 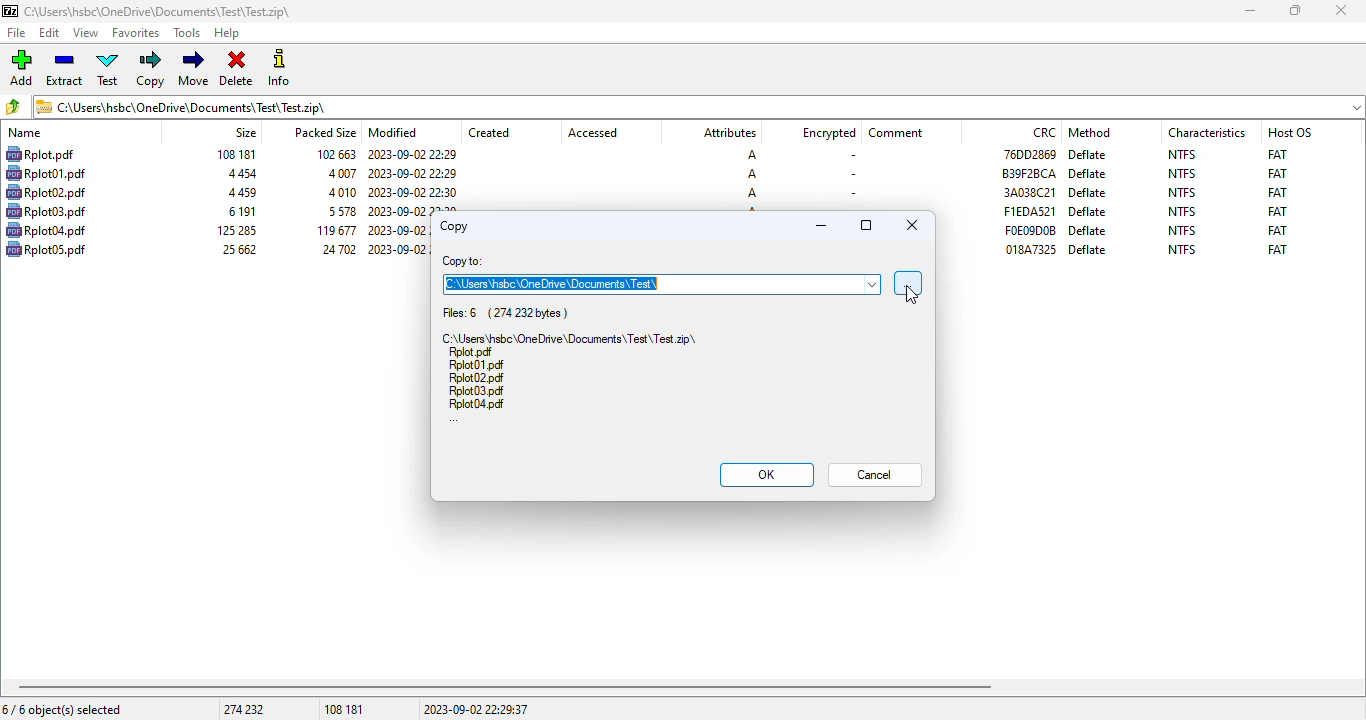 What do you see at coordinates (46, 230) in the screenshot?
I see `file` at bounding box center [46, 230].